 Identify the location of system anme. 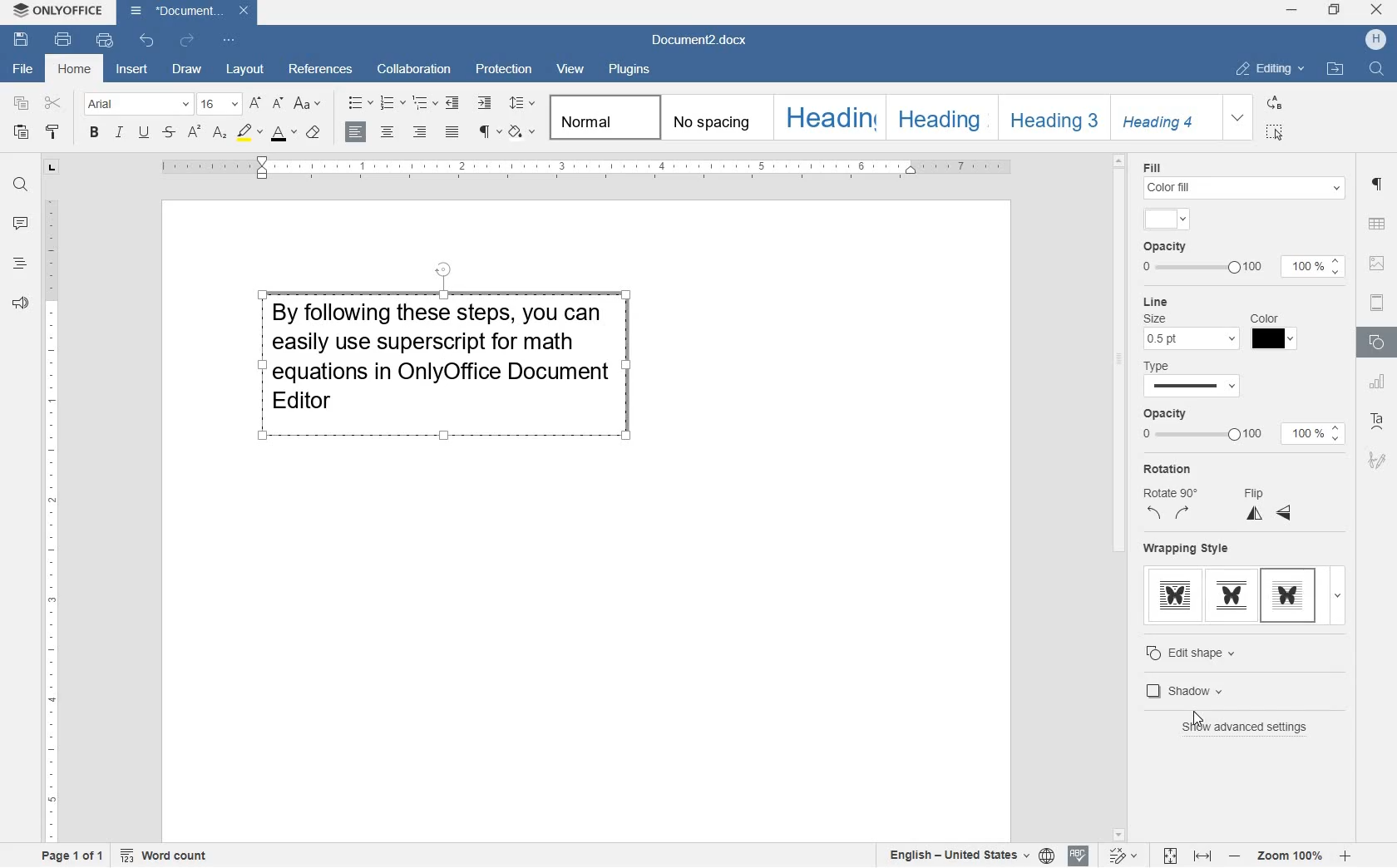
(58, 11).